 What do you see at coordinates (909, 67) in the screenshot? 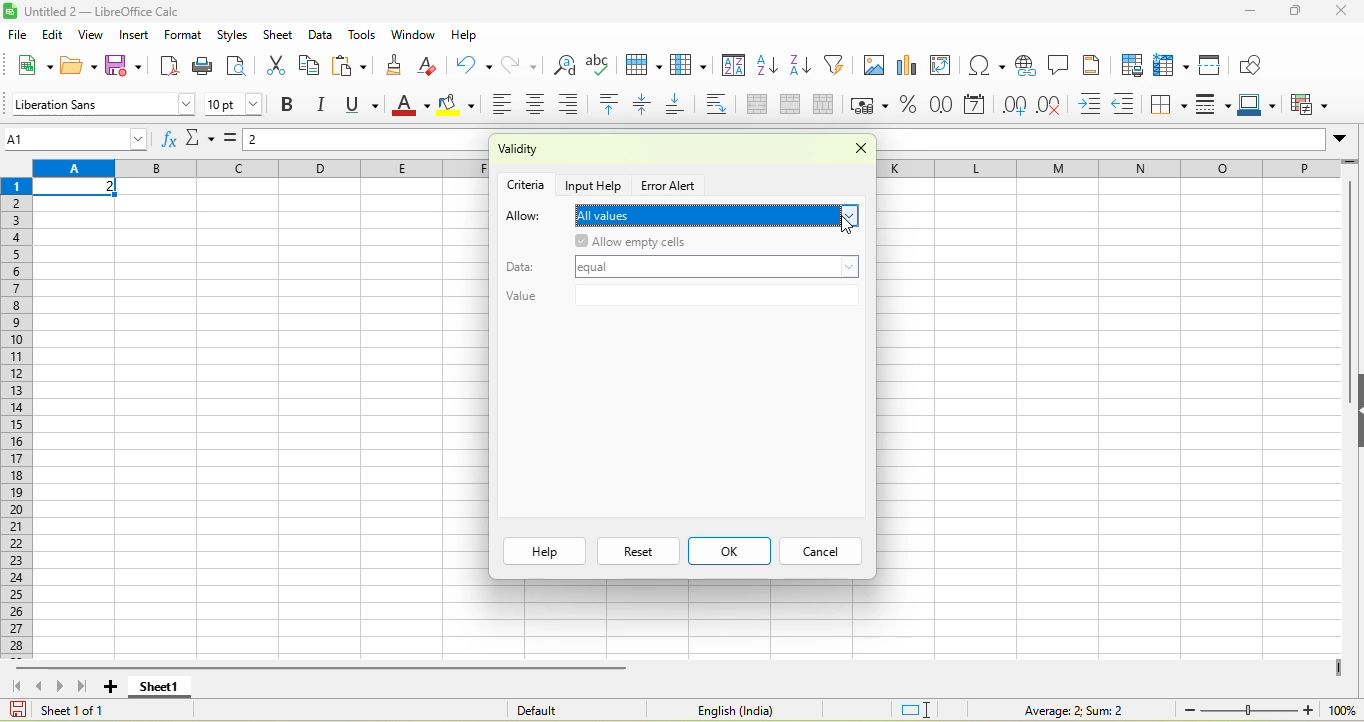
I see `chart` at bounding box center [909, 67].